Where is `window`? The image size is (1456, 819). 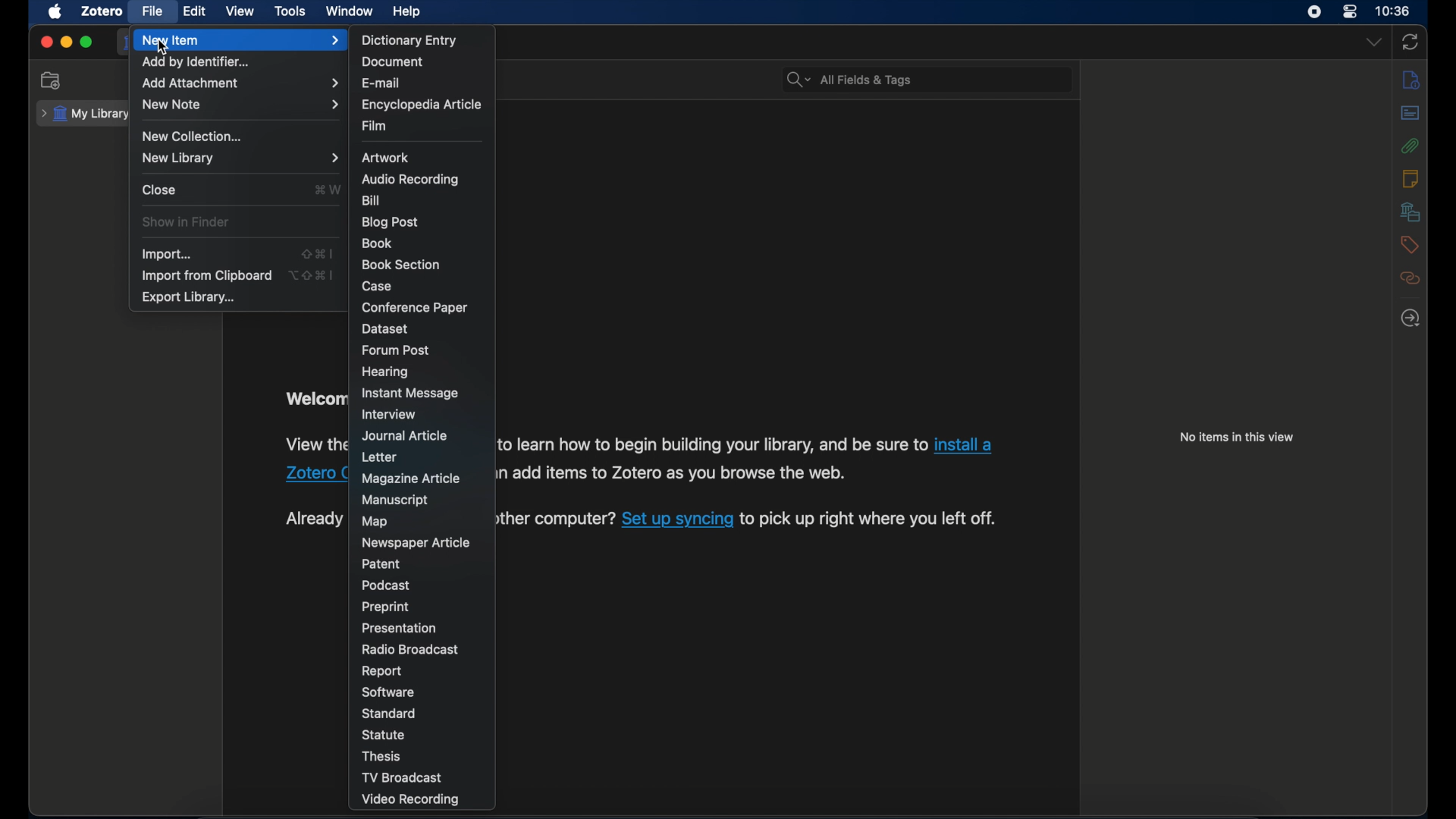
window is located at coordinates (350, 11).